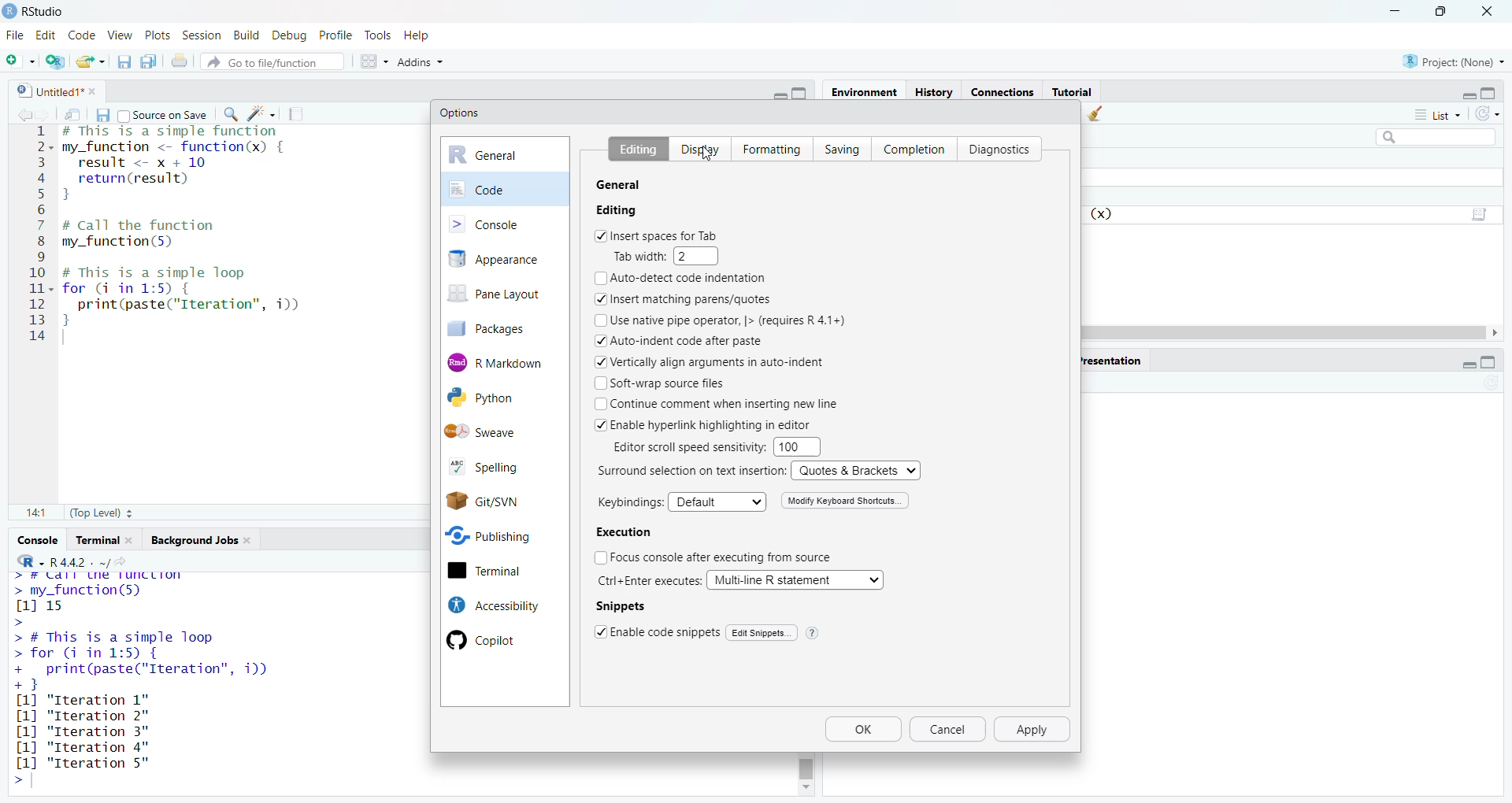  I want to click on Insert spaces for Tab, so click(672, 236).